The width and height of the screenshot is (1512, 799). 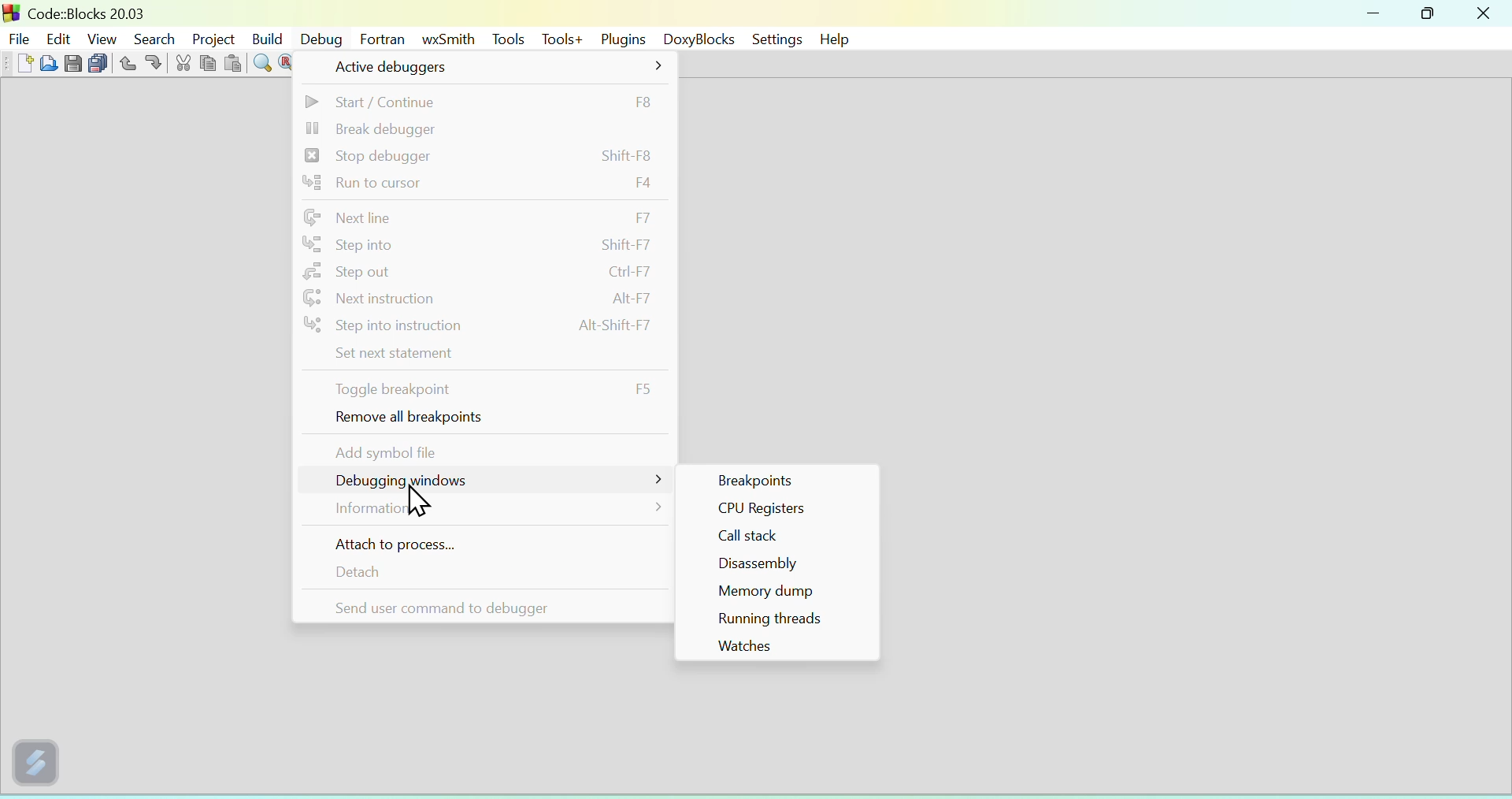 I want to click on Fortran, so click(x=382, y=37).